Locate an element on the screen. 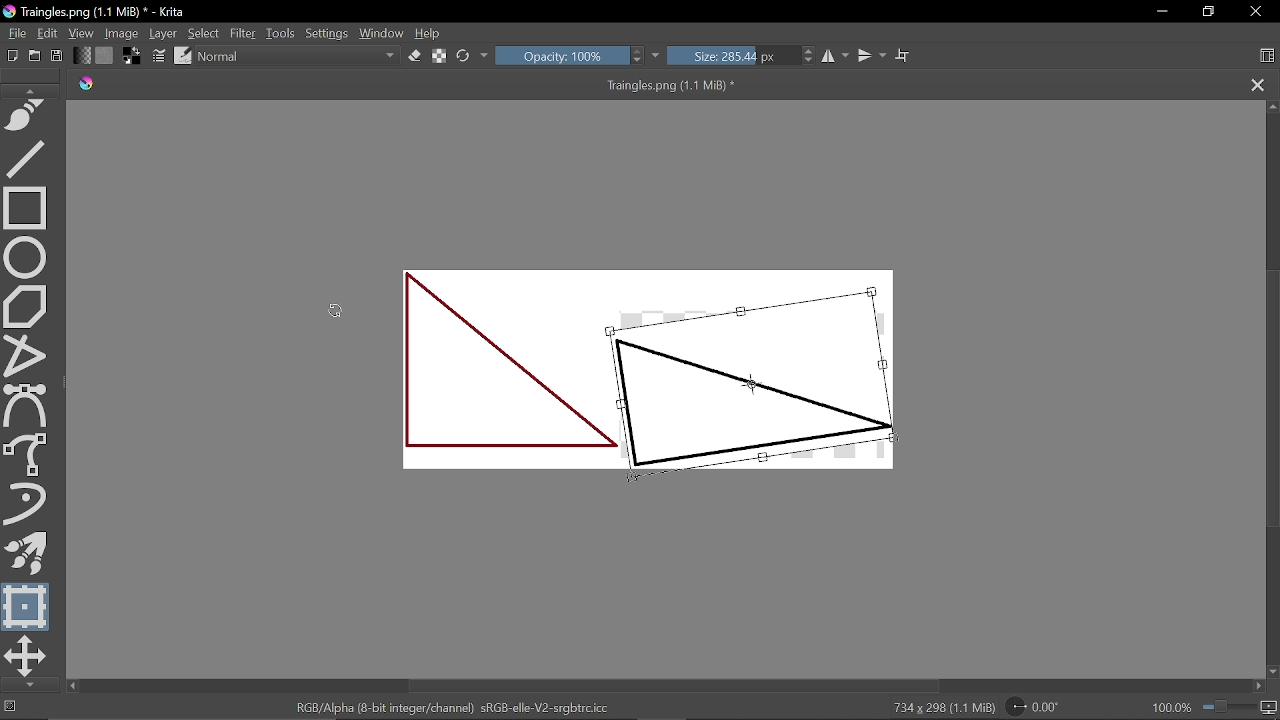 The height and width of the screenshot is (720, 1280). Restore down is located at coordinates (1206, 13).